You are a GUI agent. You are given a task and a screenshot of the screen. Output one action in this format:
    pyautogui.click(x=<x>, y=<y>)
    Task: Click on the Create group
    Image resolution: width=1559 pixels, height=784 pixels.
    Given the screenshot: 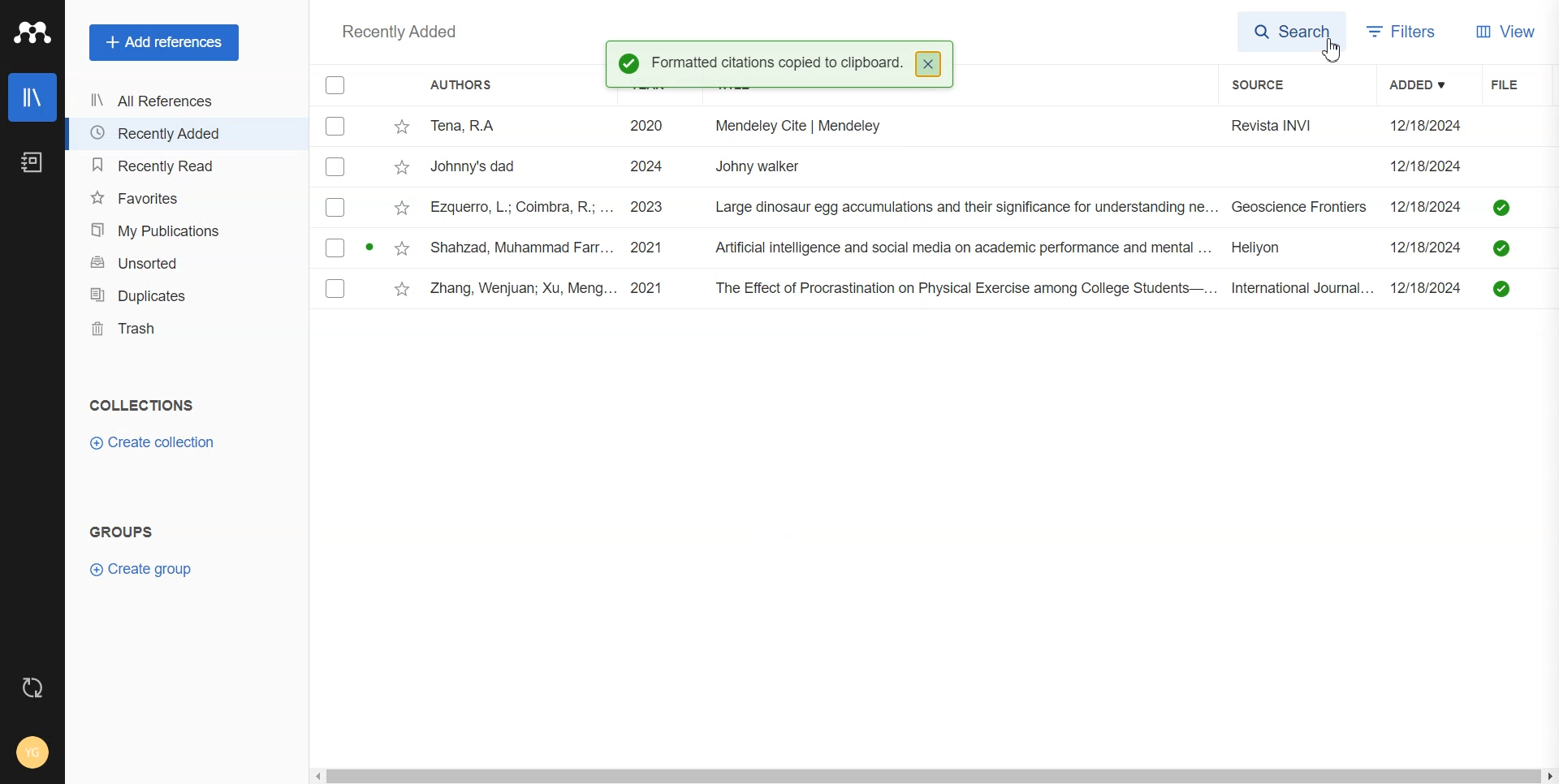 What is the action you would take?
    pyautogui.click(x=140, y=569)
    